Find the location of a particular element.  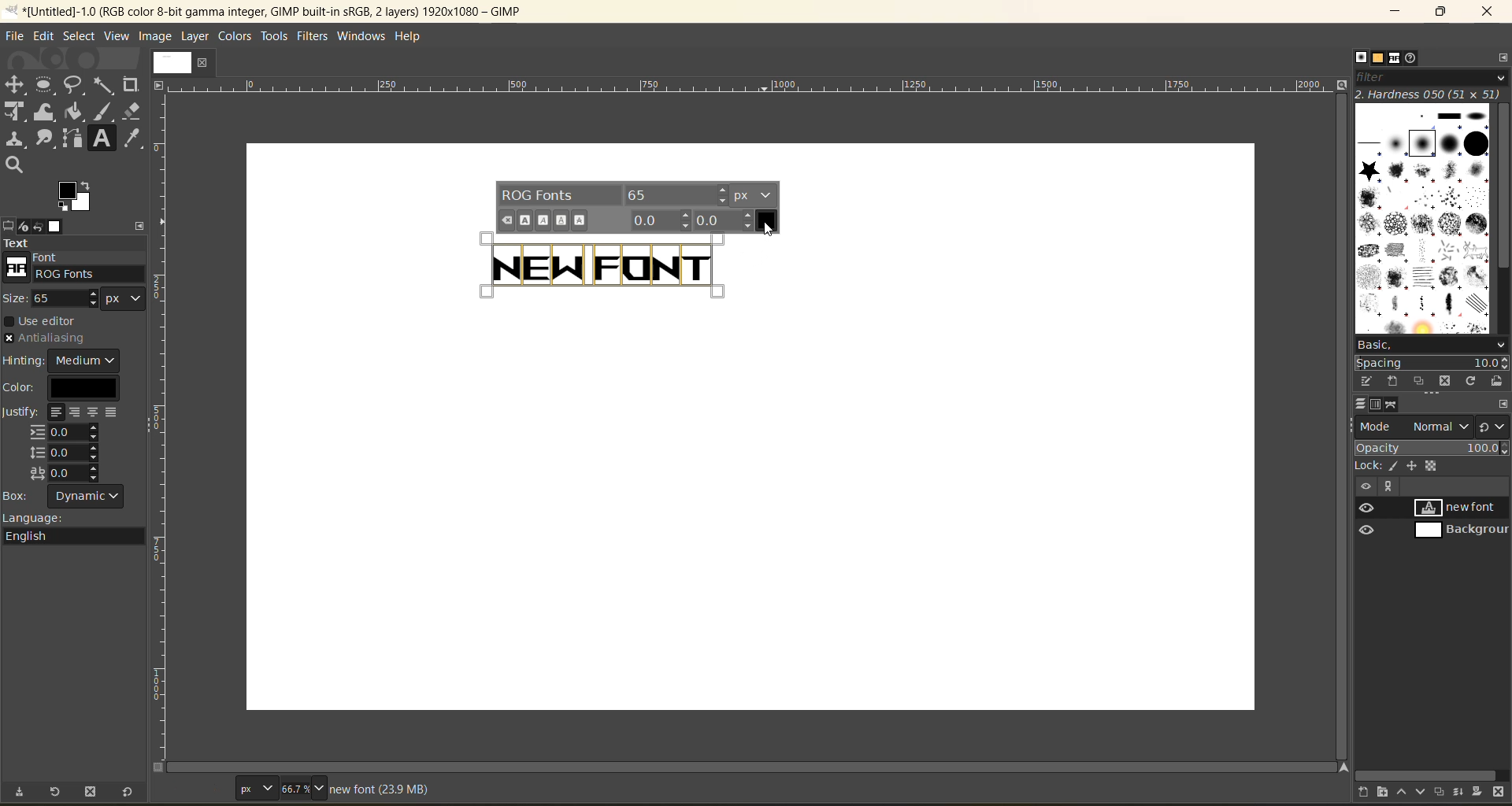

minimize is located at coordinates (1397, 12).